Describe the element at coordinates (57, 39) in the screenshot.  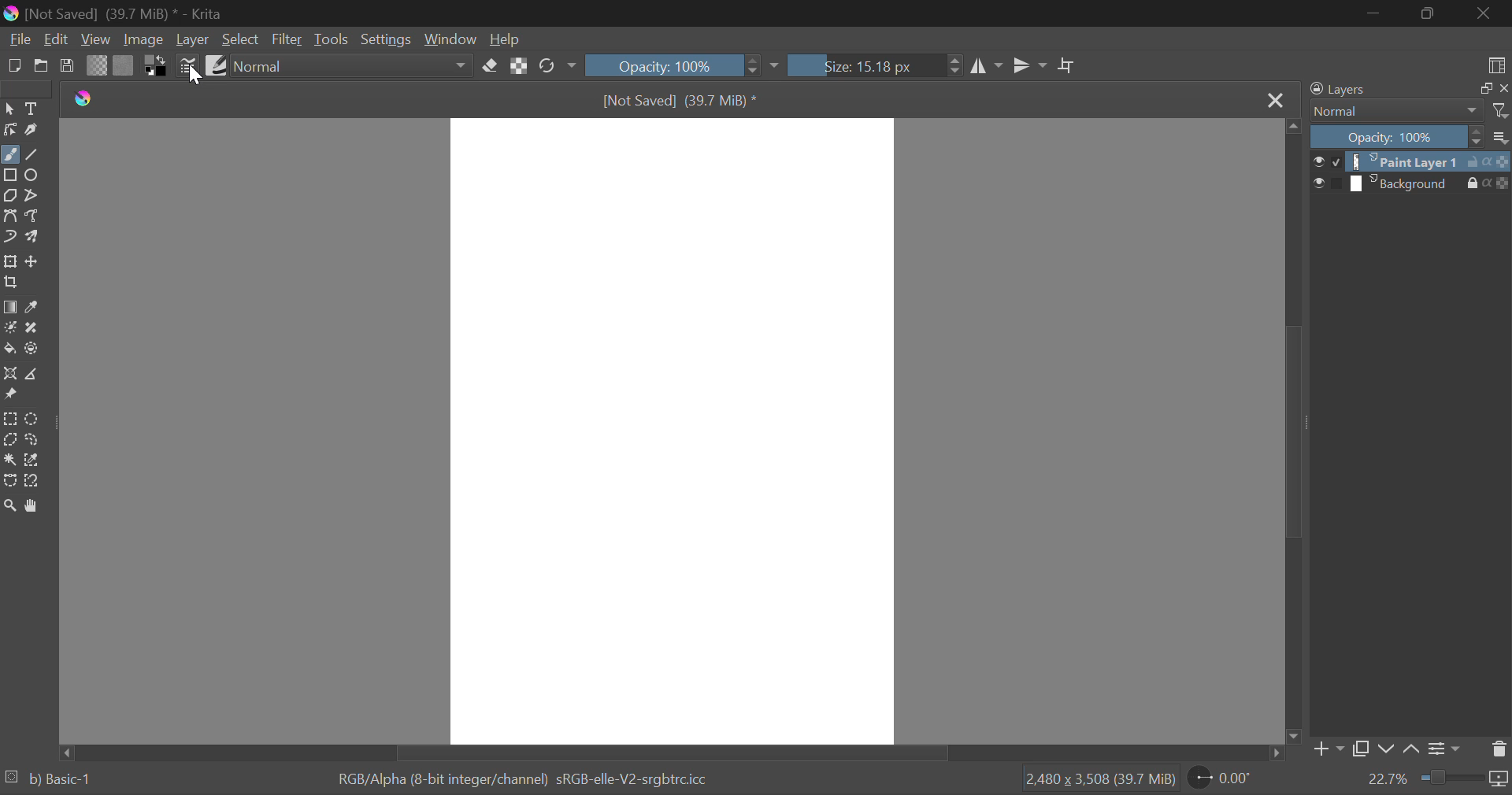
I see `Edit` at that location.